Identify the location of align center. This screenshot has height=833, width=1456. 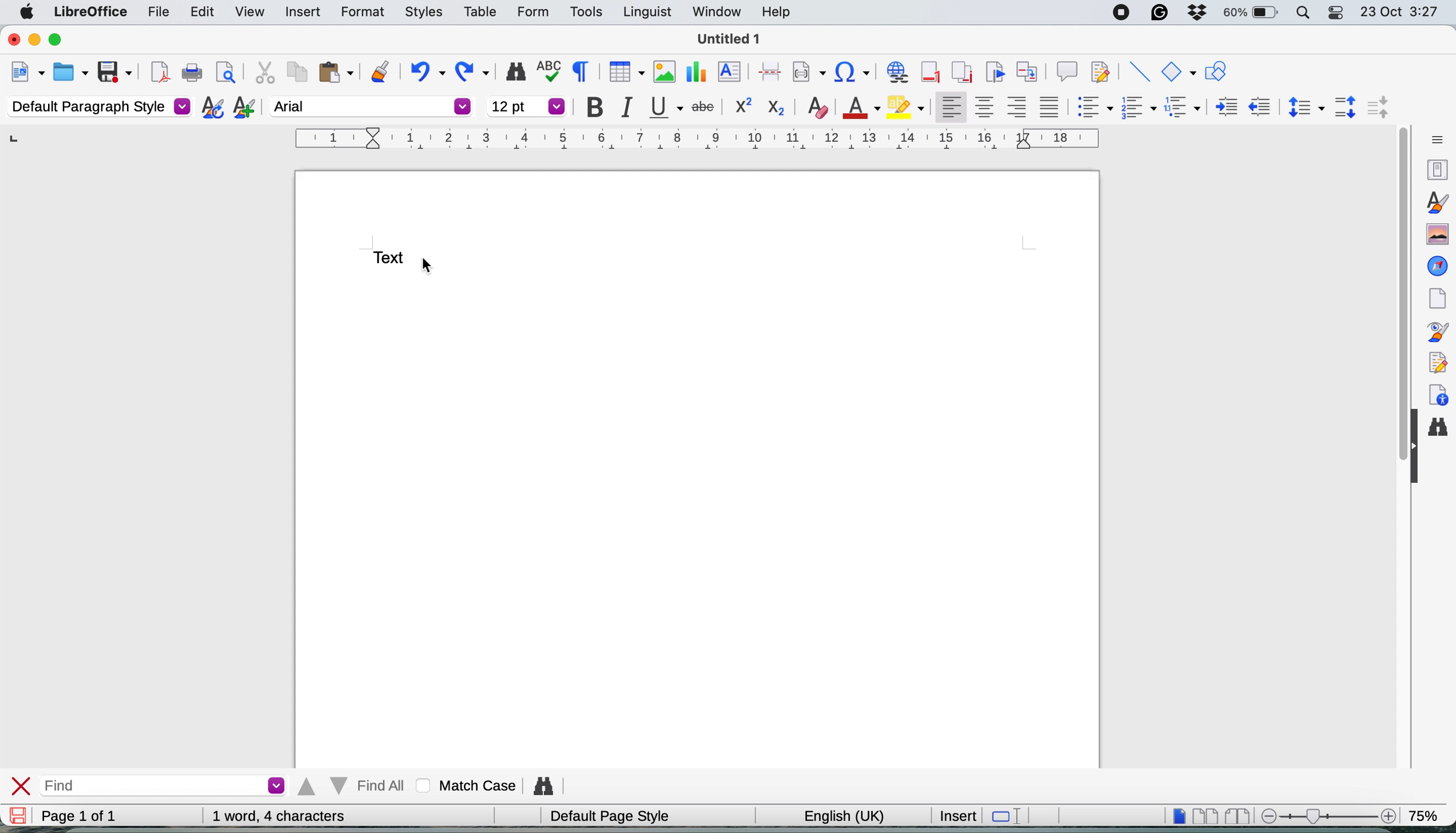
(985, 108).